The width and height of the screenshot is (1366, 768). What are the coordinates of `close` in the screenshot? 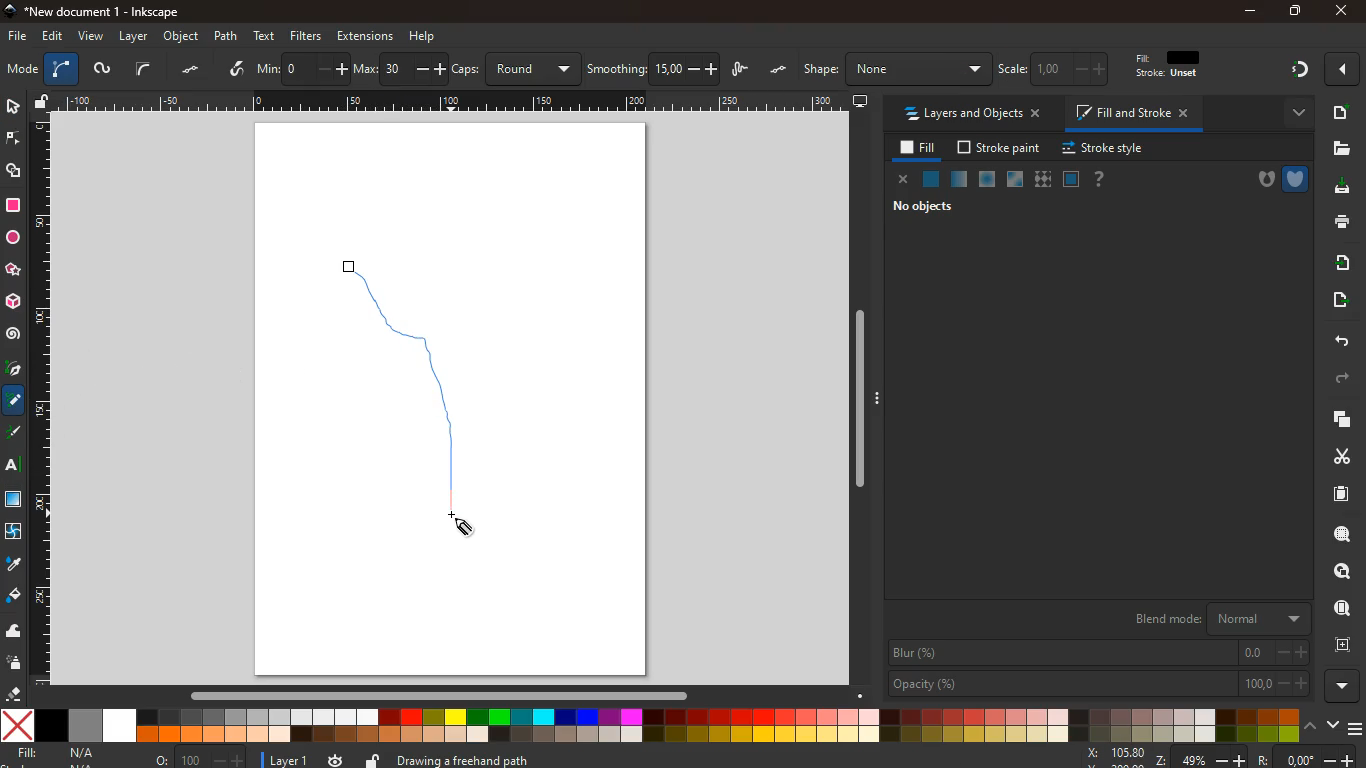 It's located at (900, 179).